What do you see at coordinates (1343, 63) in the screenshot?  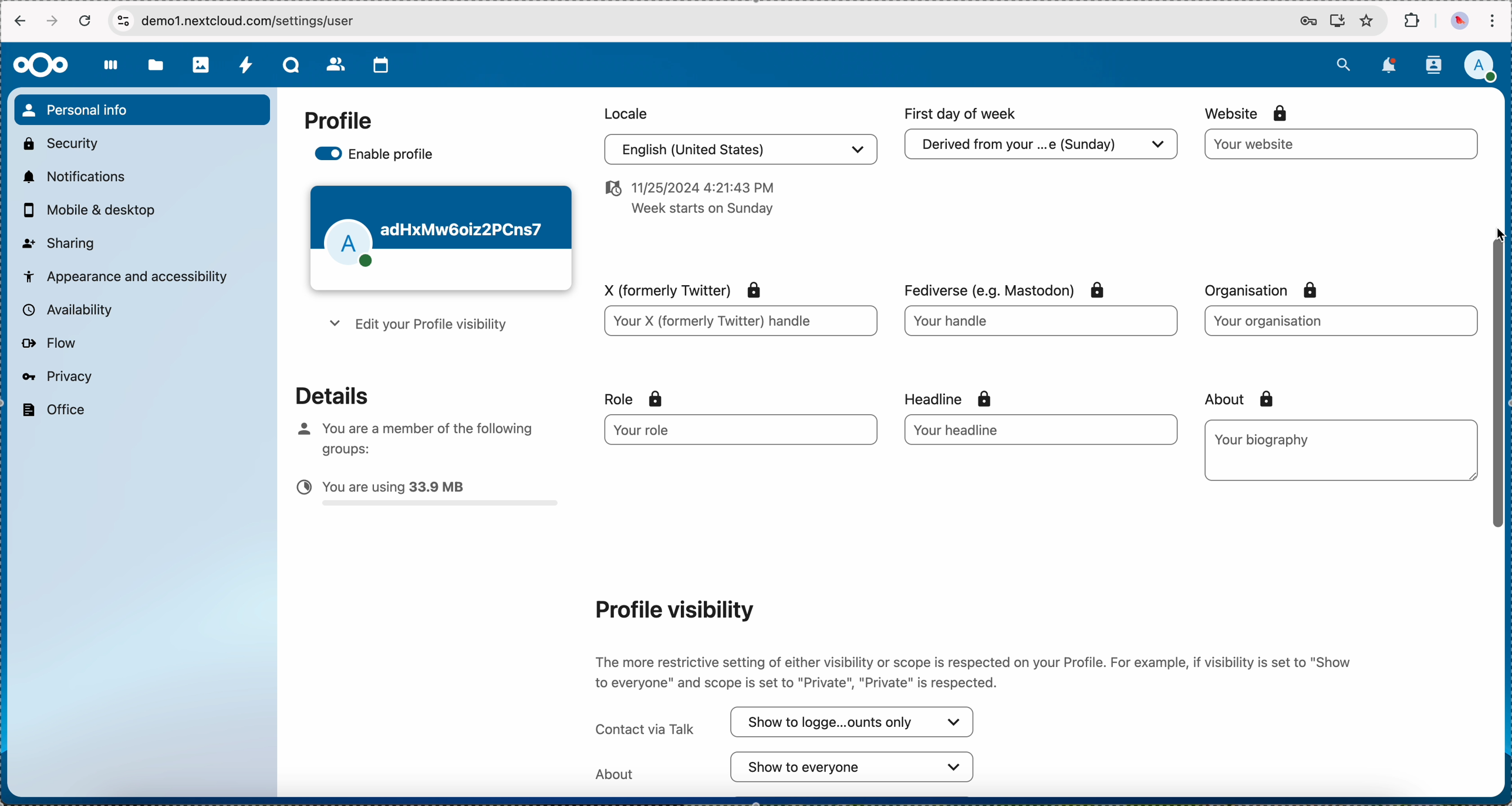 I see `search` at bounding box center [1343, 63].